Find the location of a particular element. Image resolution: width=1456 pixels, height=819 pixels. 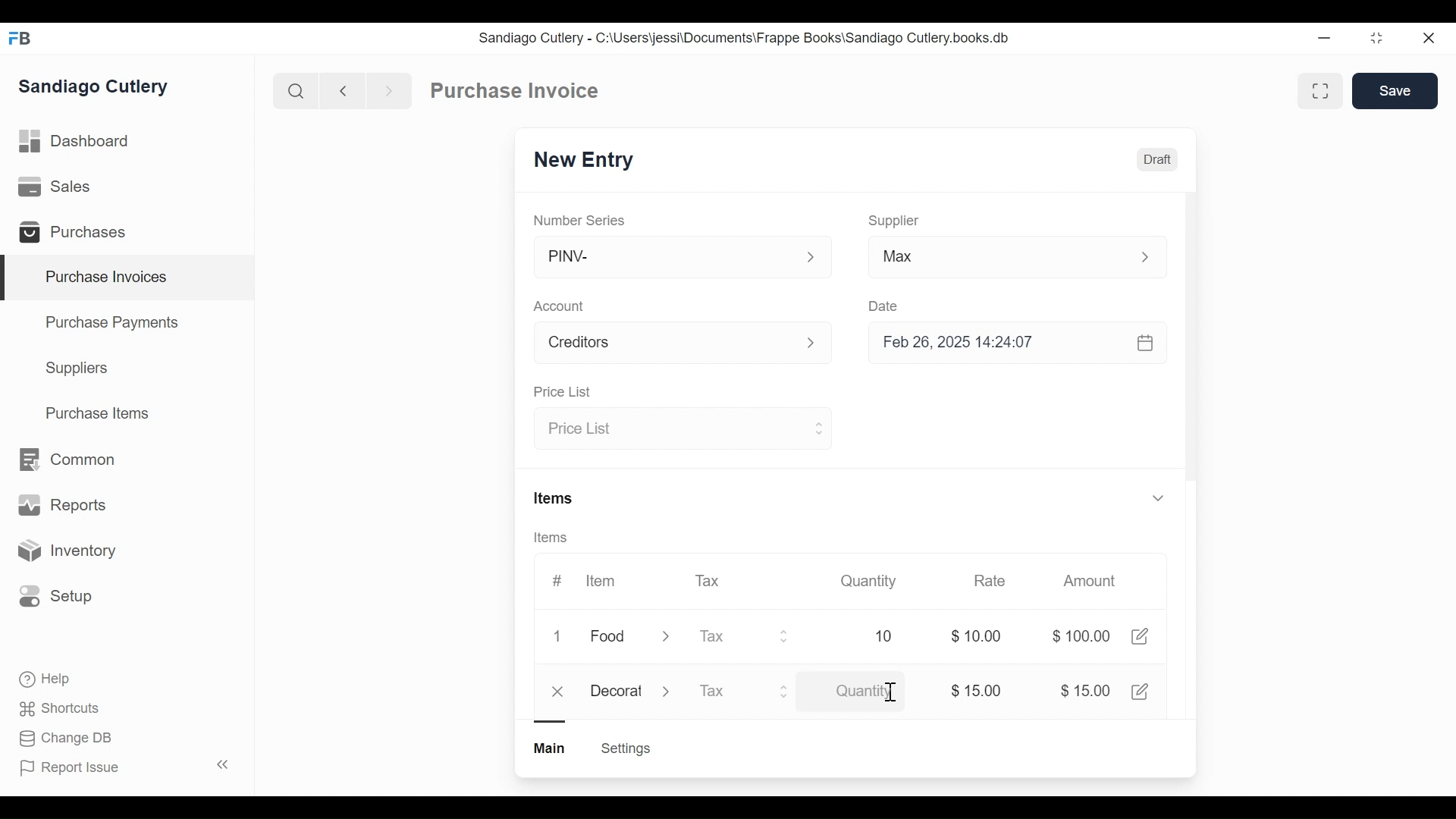

Shortcuts is located at coordinates (61, 708).